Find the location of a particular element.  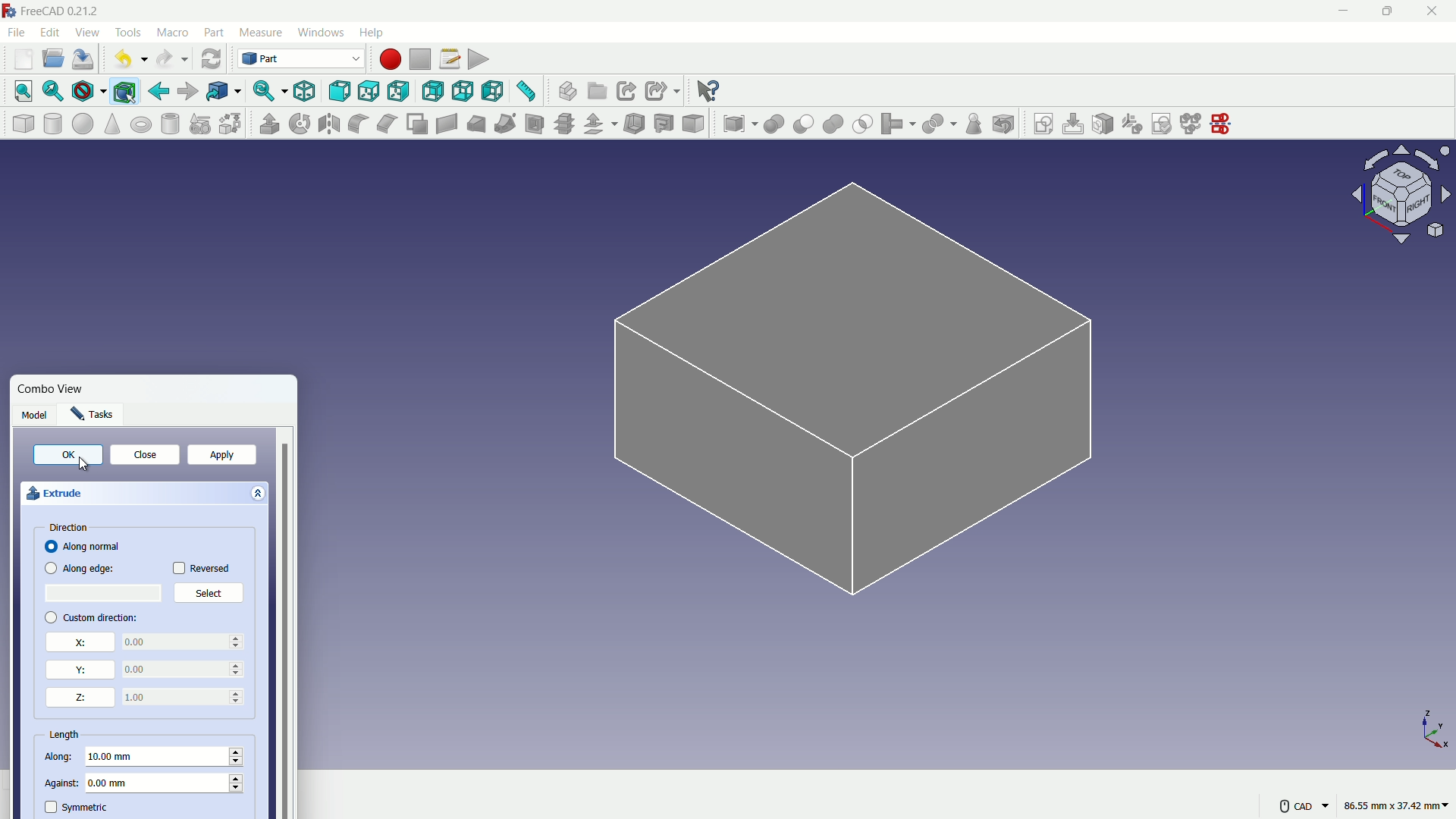

shape builder is located at coordinates (231, 124).